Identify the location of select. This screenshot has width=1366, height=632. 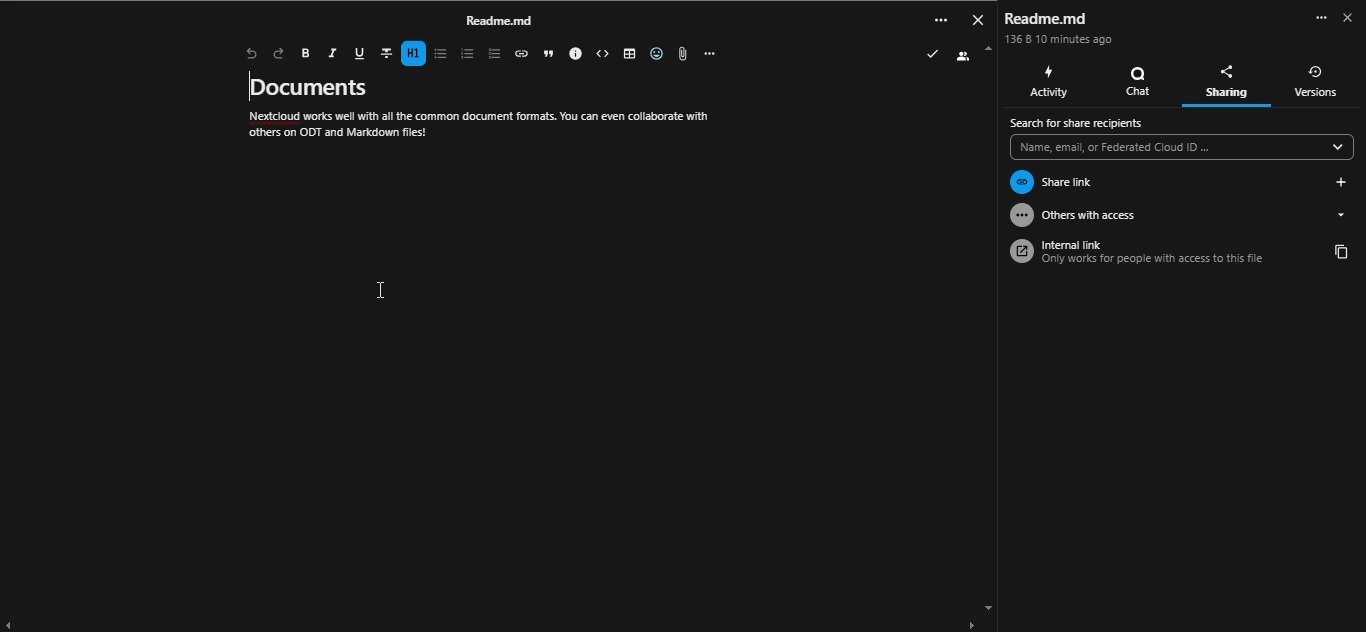
(603, 54).